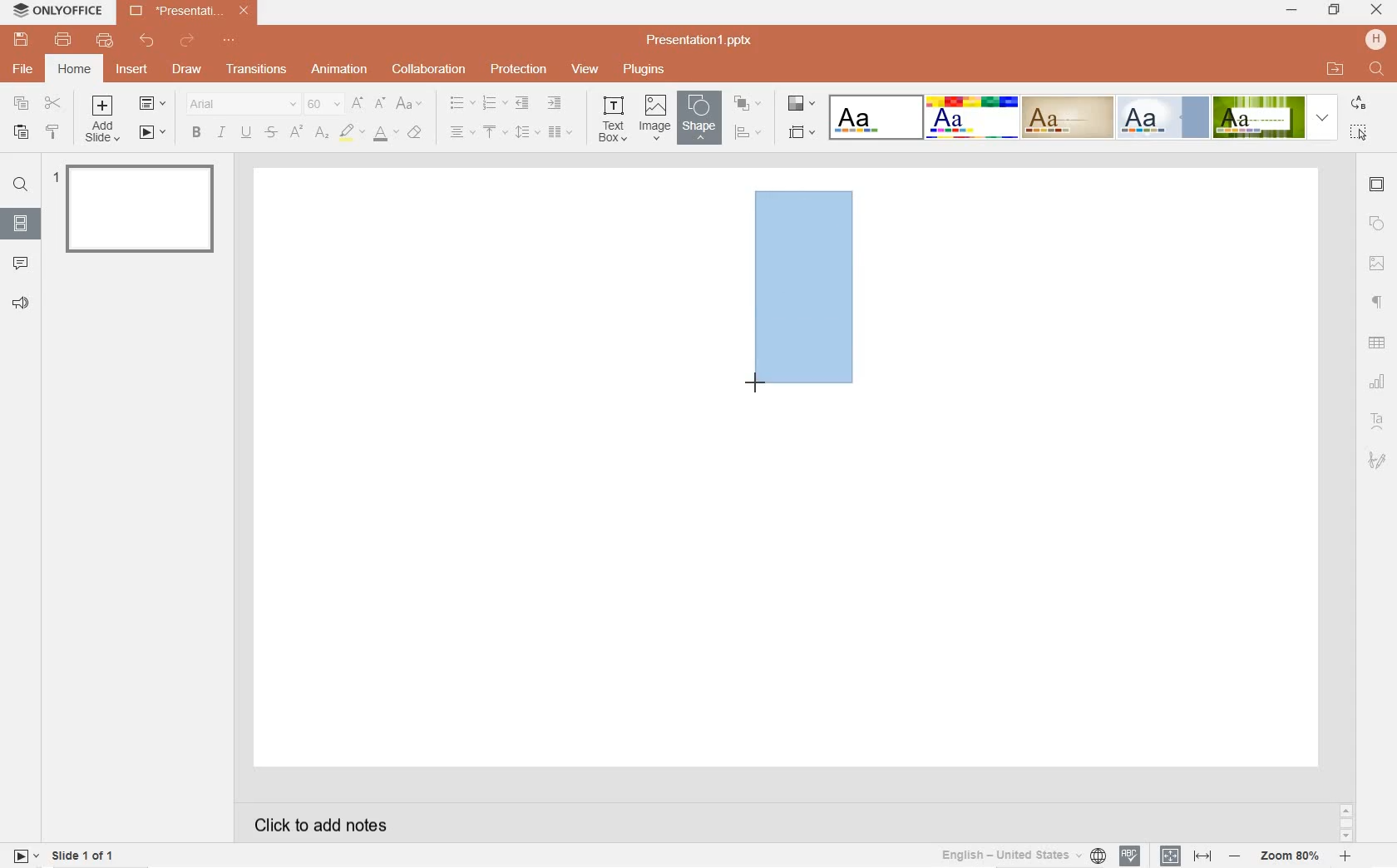 This screenshot has height=868, width=1397. Describe the element at coordinates (186, 67) in the screenshot. I see `draw` at that location.